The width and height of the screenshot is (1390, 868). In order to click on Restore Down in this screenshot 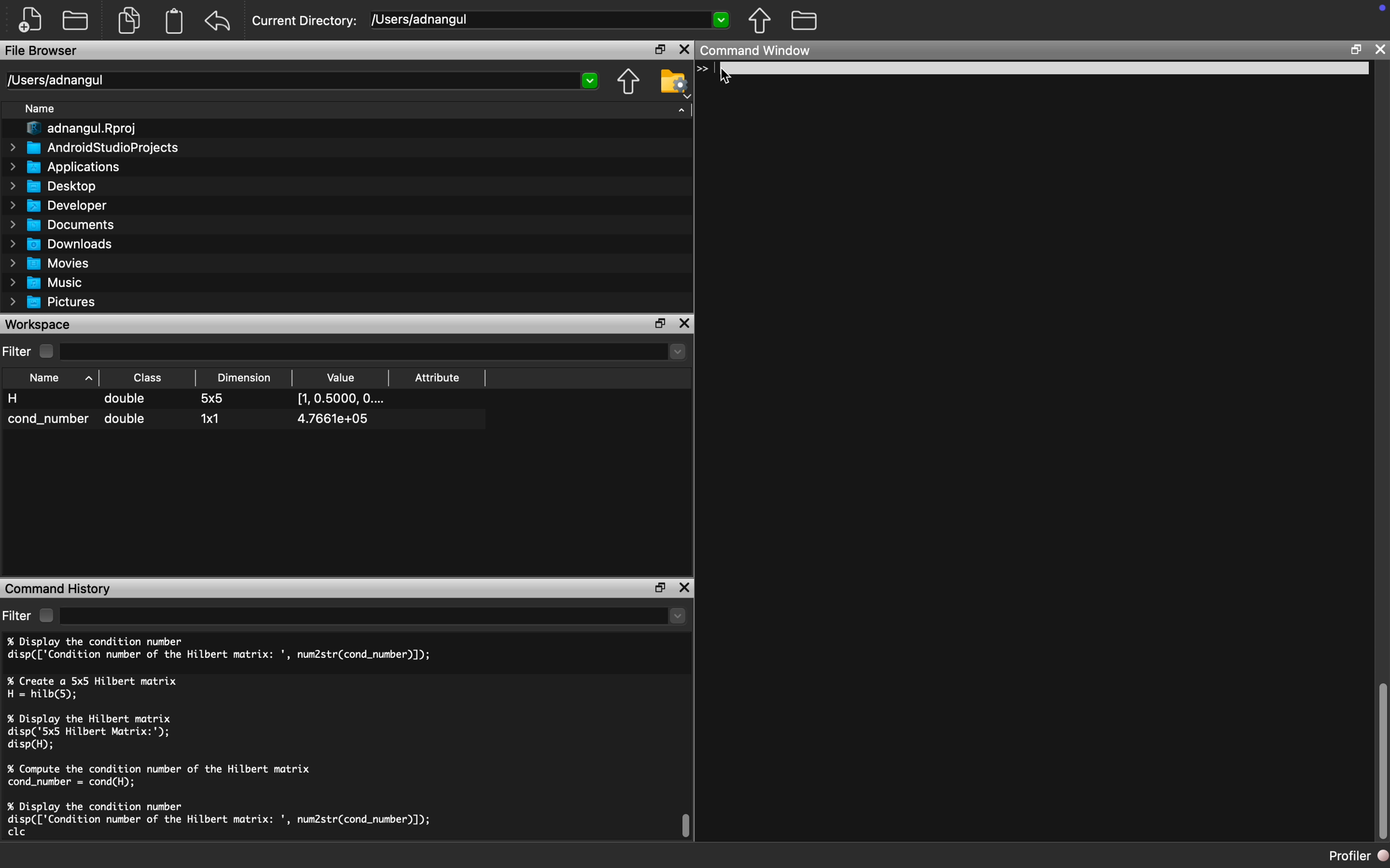, I will do `click(659, 587)`.